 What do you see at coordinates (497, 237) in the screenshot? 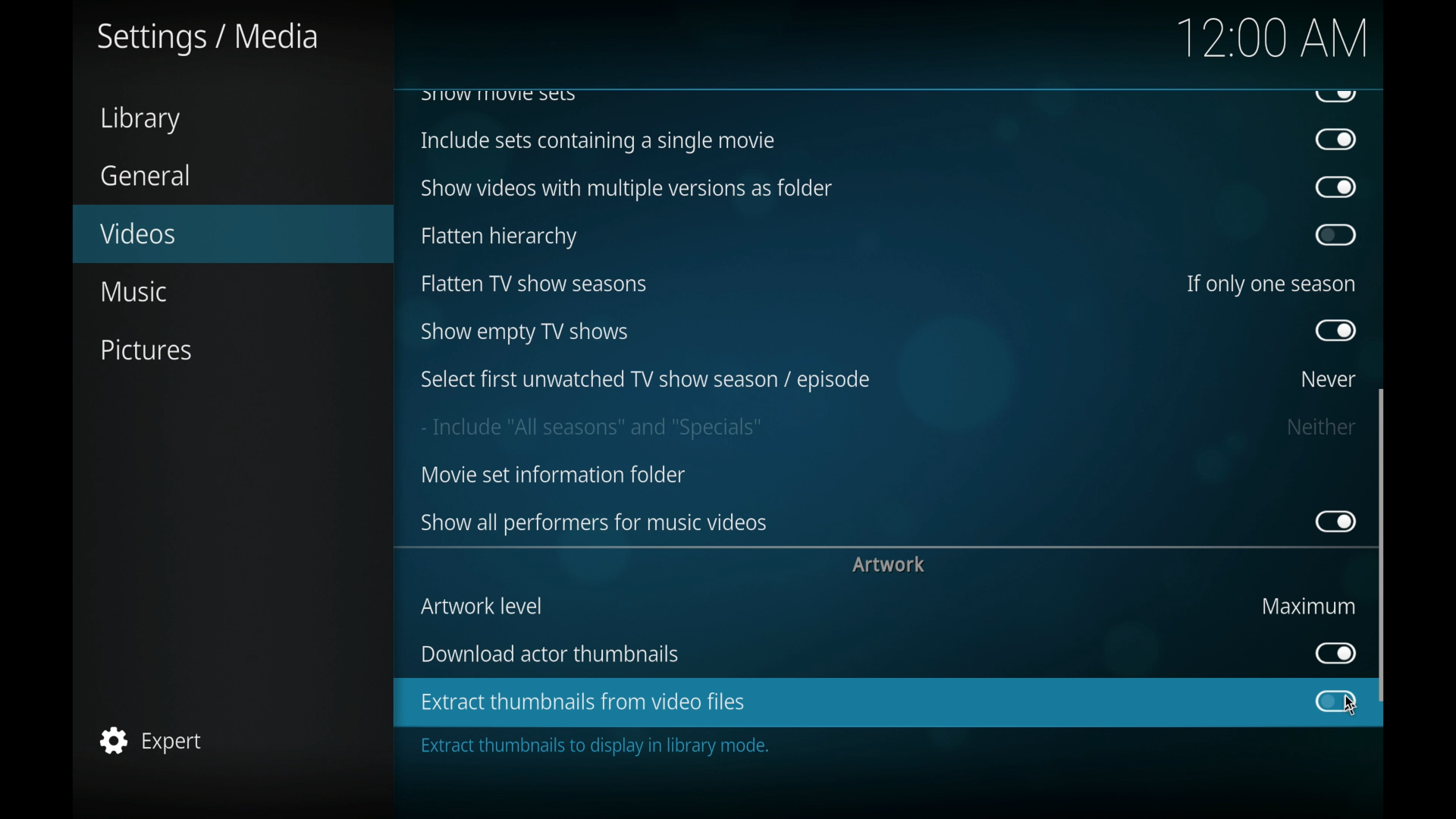
I see `flatten hierarchy` at bounding box center [497, 237].